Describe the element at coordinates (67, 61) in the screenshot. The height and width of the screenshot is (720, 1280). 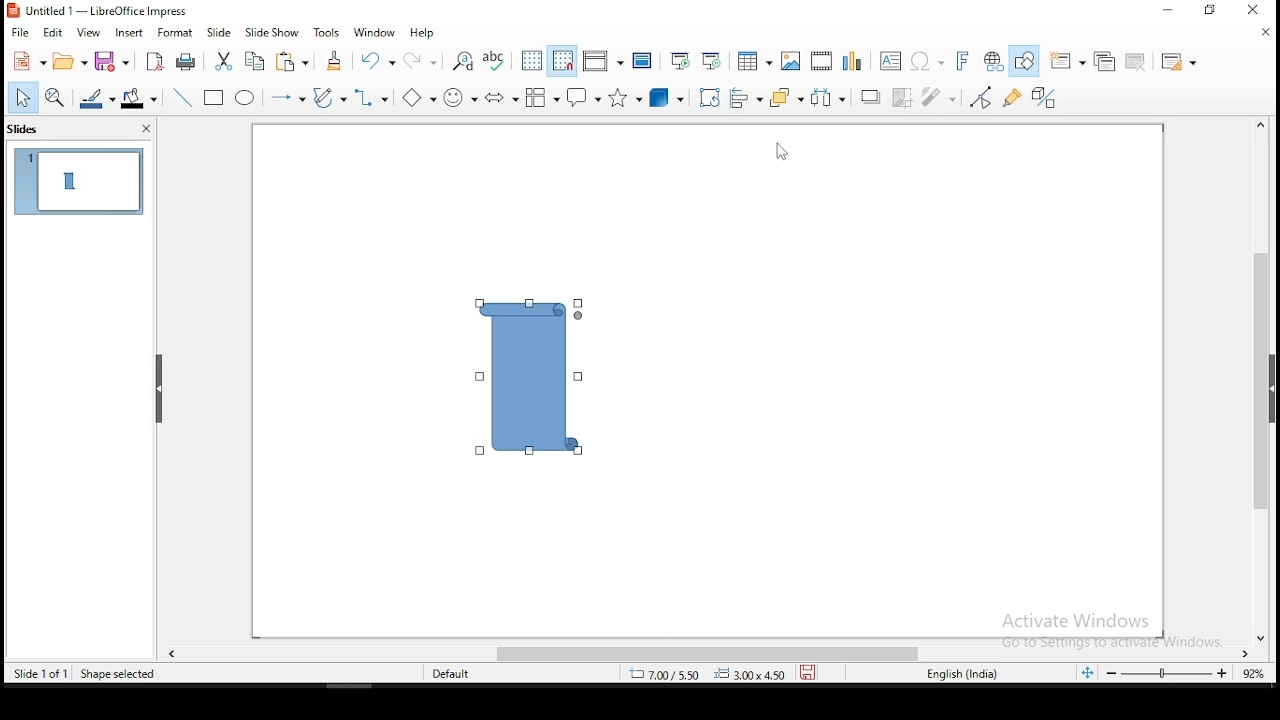
I see `open` at that location.